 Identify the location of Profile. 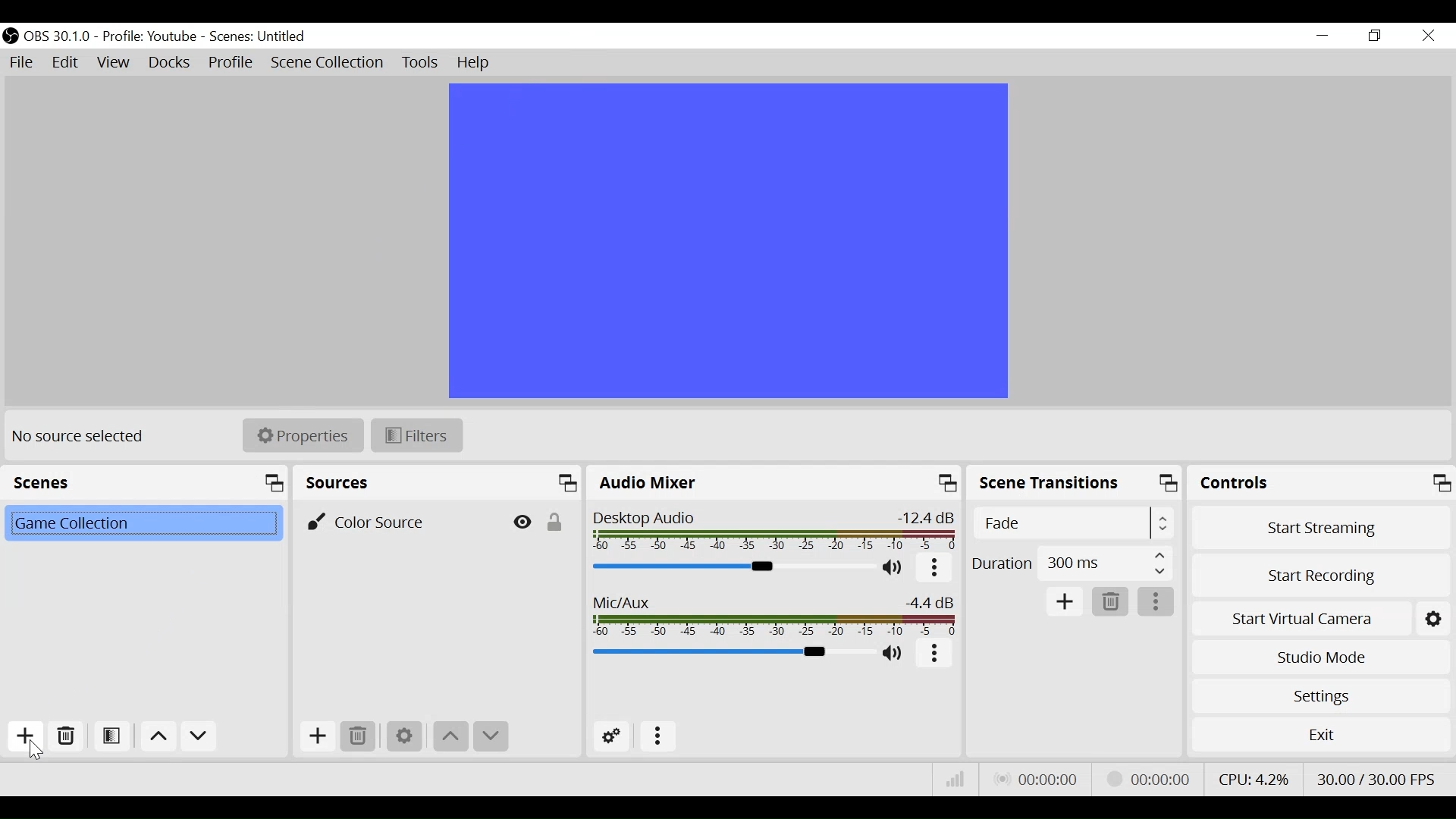
(231, 64).